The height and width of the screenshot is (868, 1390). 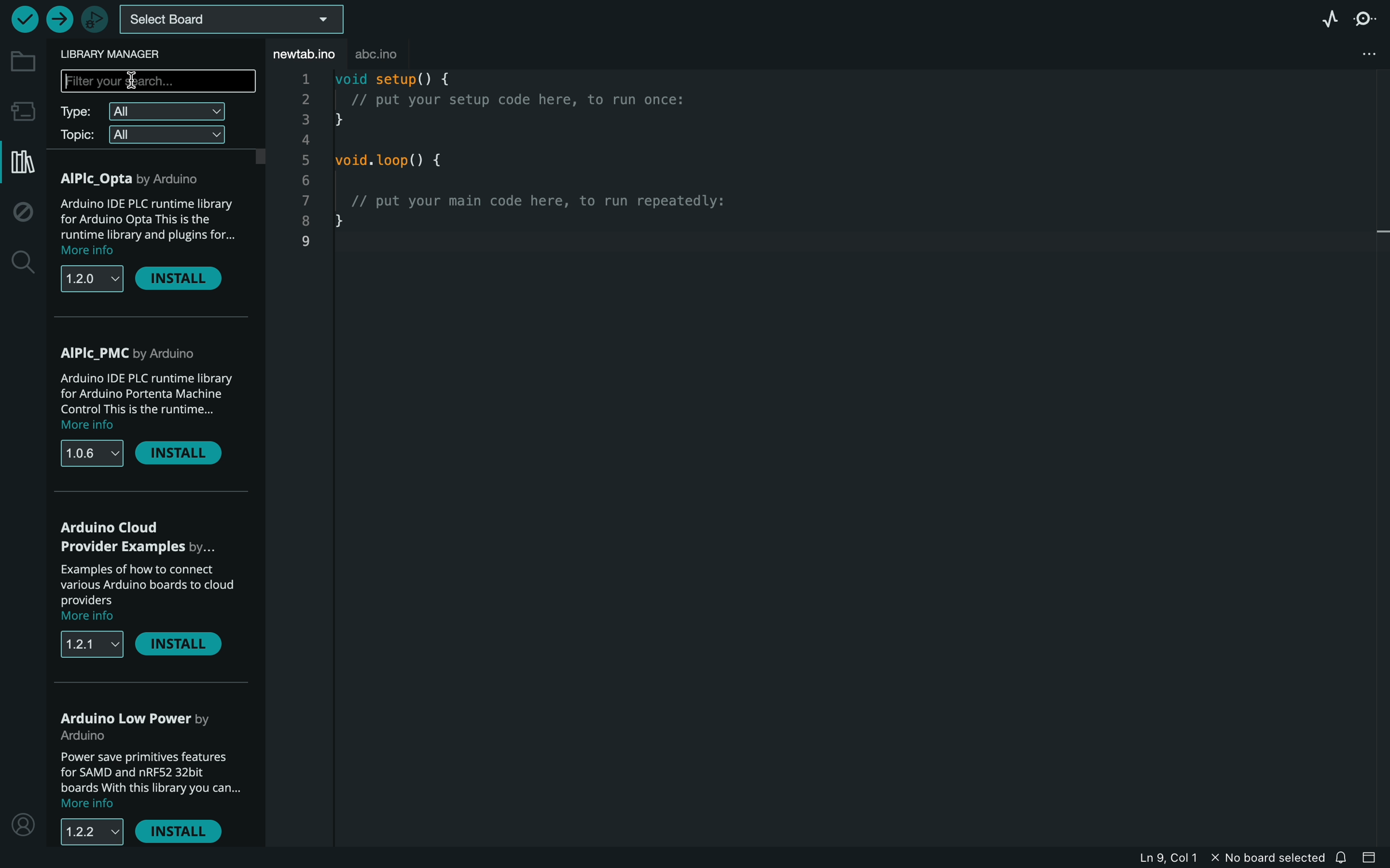 I want to click on close slide bar, so click(x=1369, y=859).